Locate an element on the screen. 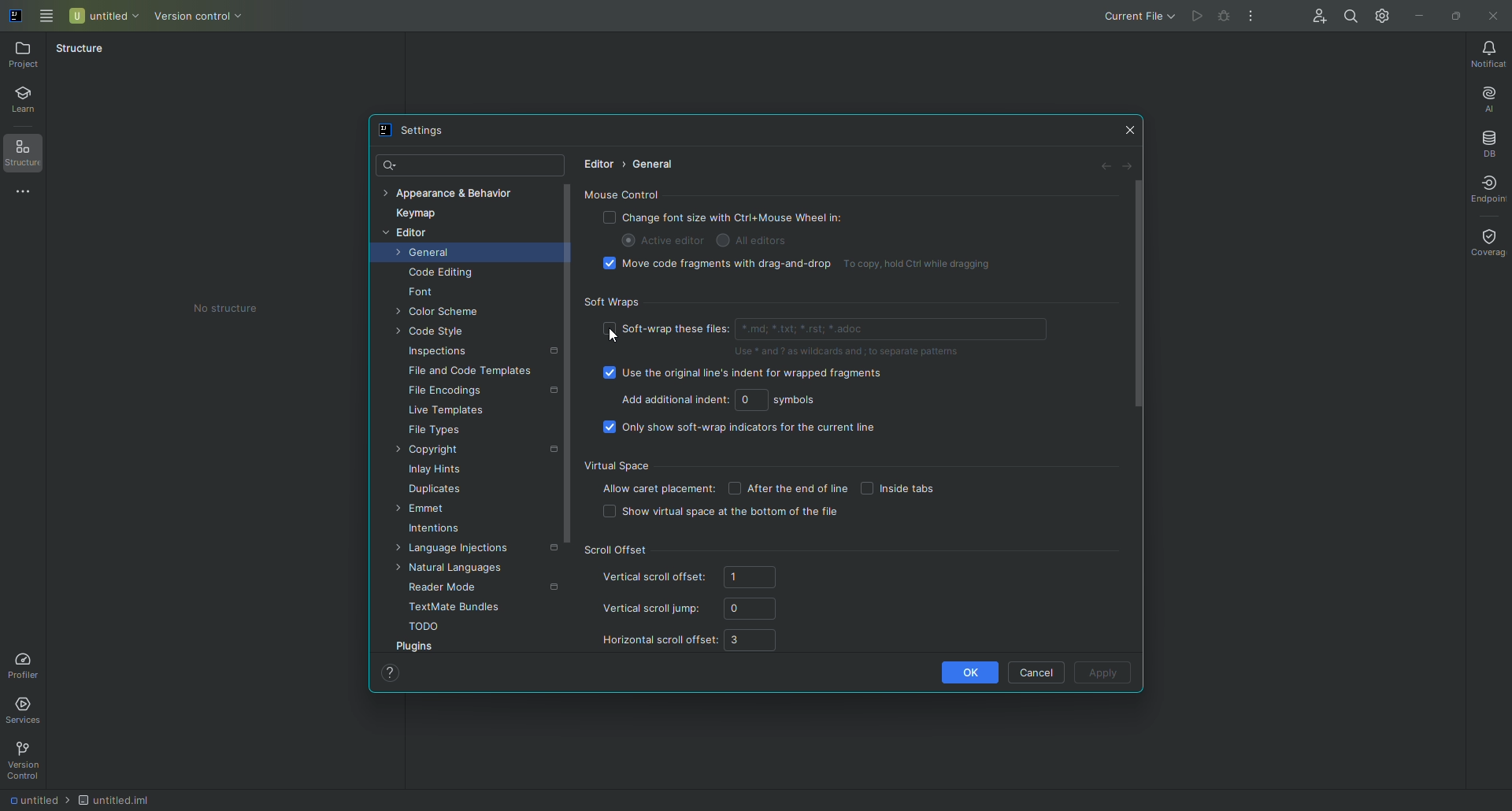 The width and height of the screenshot is (1512, 811). Help is located at coordinates (391, 673).